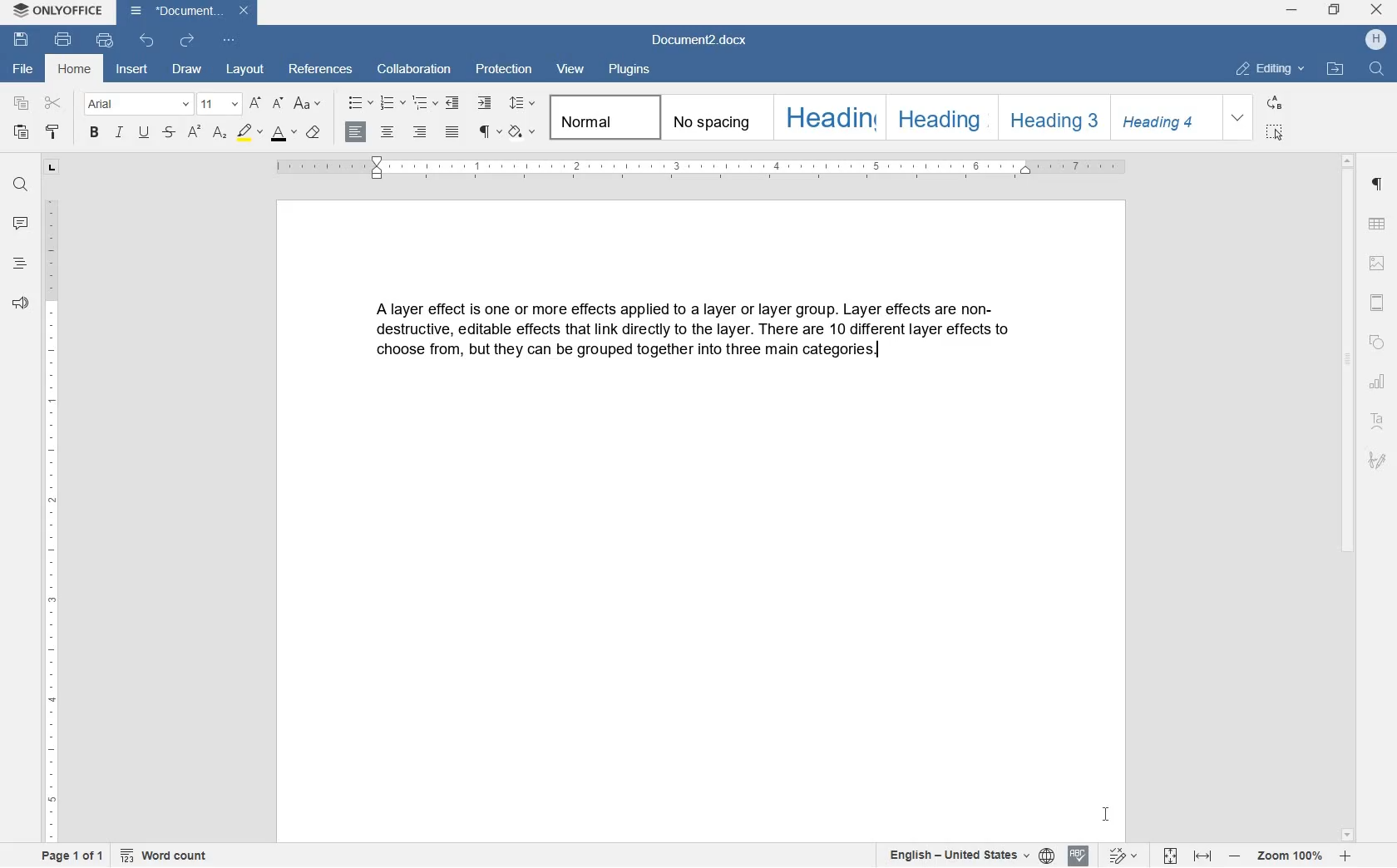 This screenshot has width=1397, height=868. What do you see at coordinates (1162, 118) in the screenshot?
I see `HEADING 4` at bounding box center [1162, 118].